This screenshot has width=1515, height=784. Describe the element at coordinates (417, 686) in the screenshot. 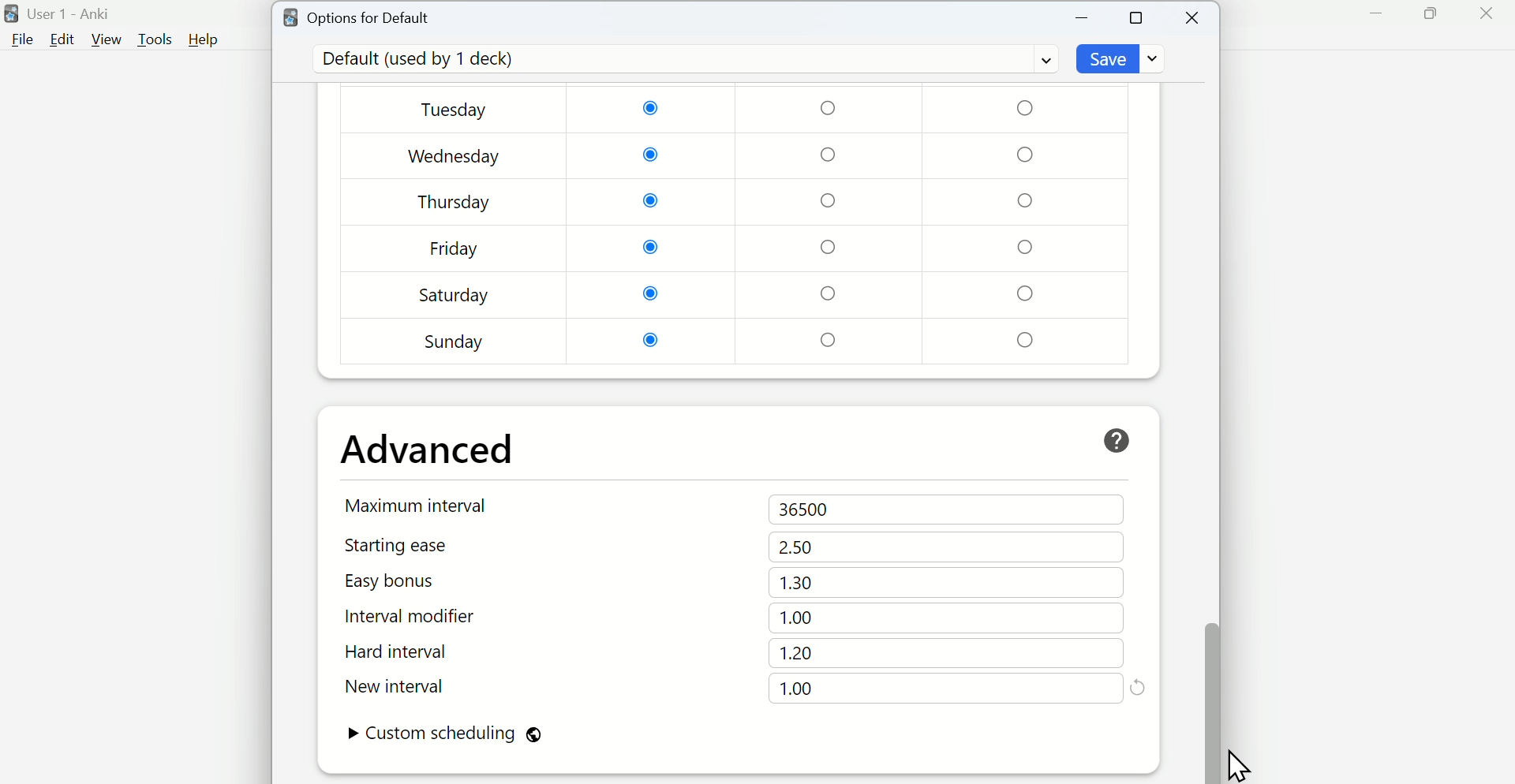

I see `New interval` at that location.